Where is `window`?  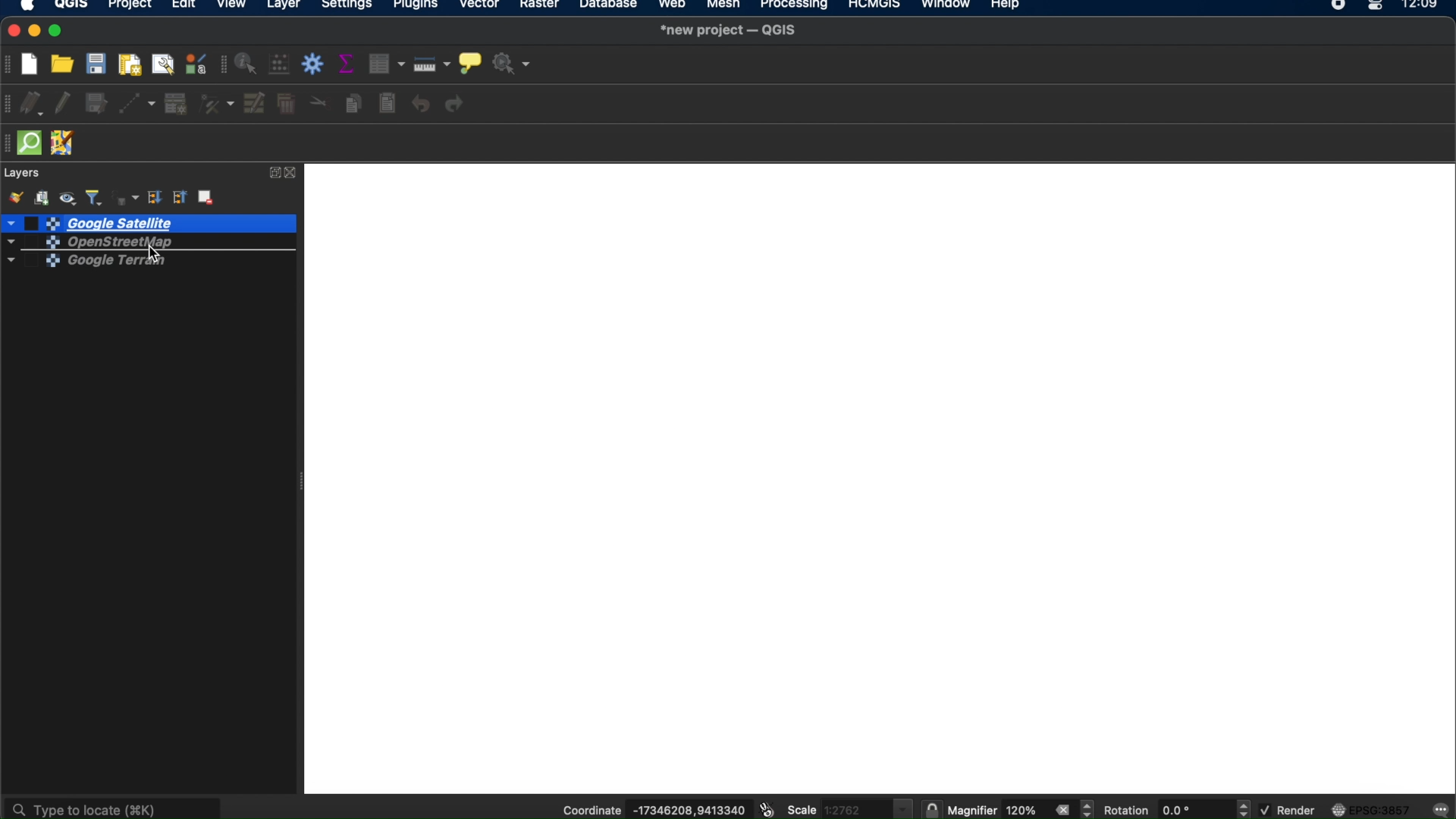 window is located at coordinates (945, 6).